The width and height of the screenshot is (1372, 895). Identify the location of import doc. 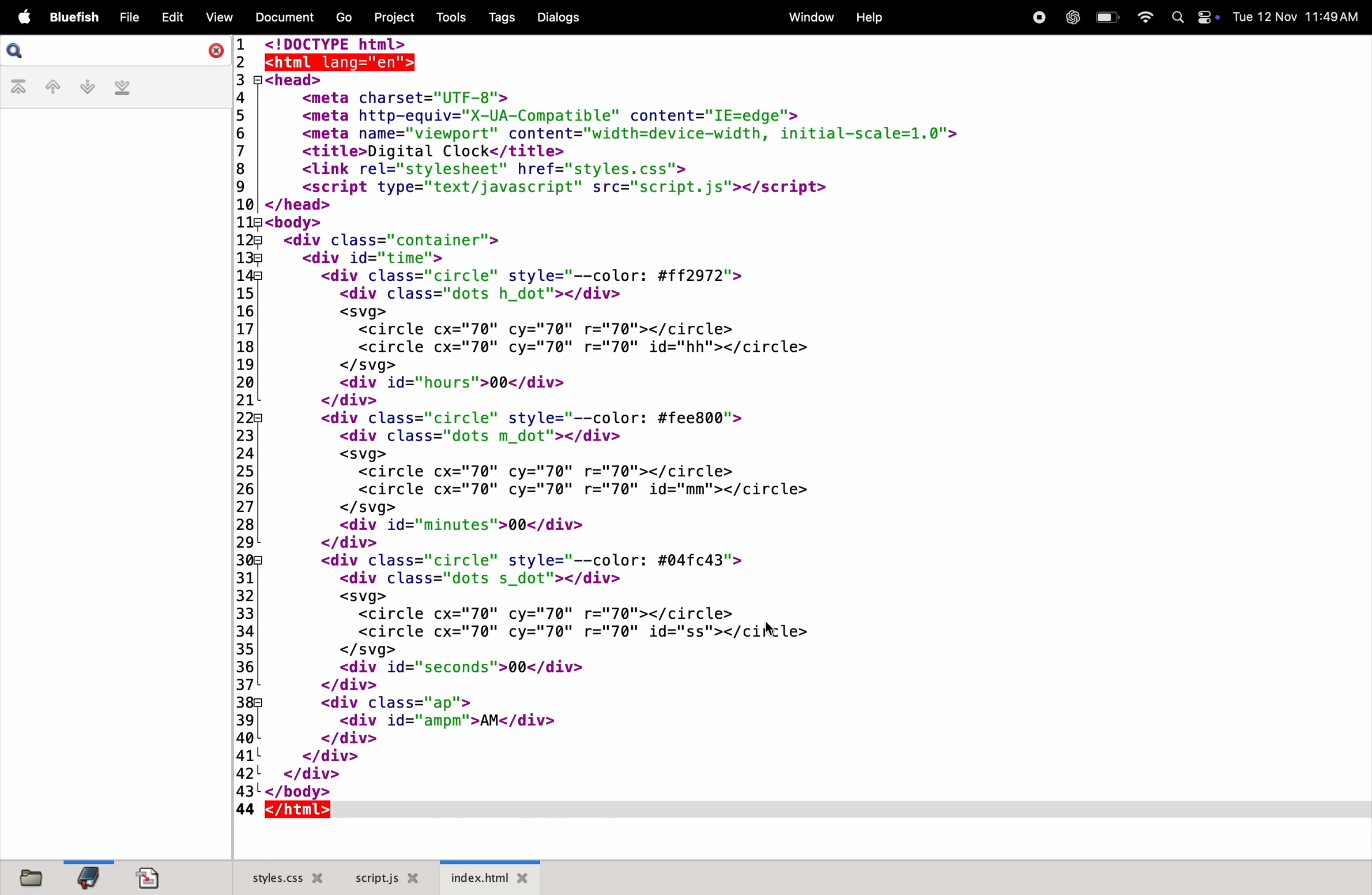
(148, 877).